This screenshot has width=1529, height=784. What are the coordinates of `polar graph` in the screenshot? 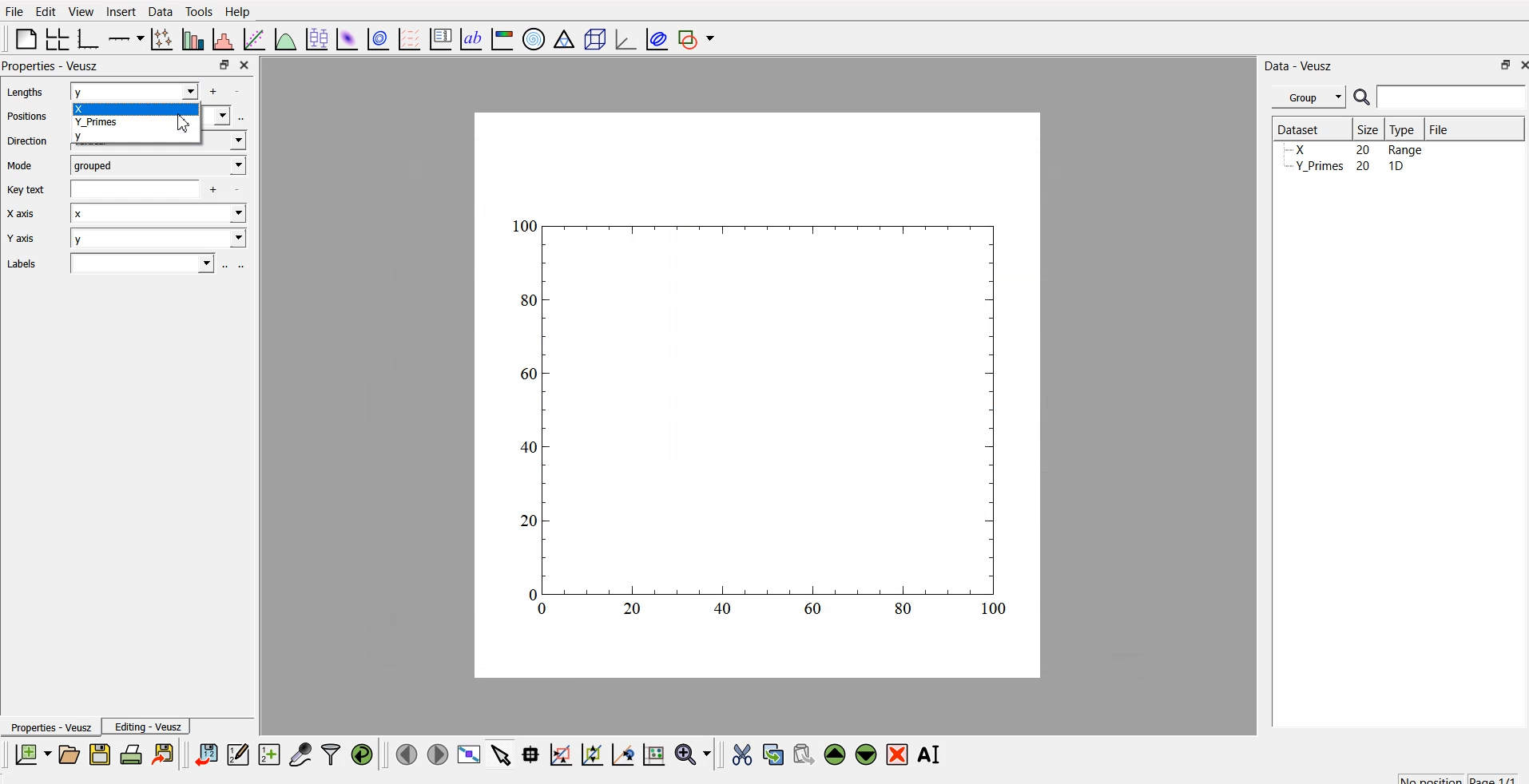 It's located at (536, 40).